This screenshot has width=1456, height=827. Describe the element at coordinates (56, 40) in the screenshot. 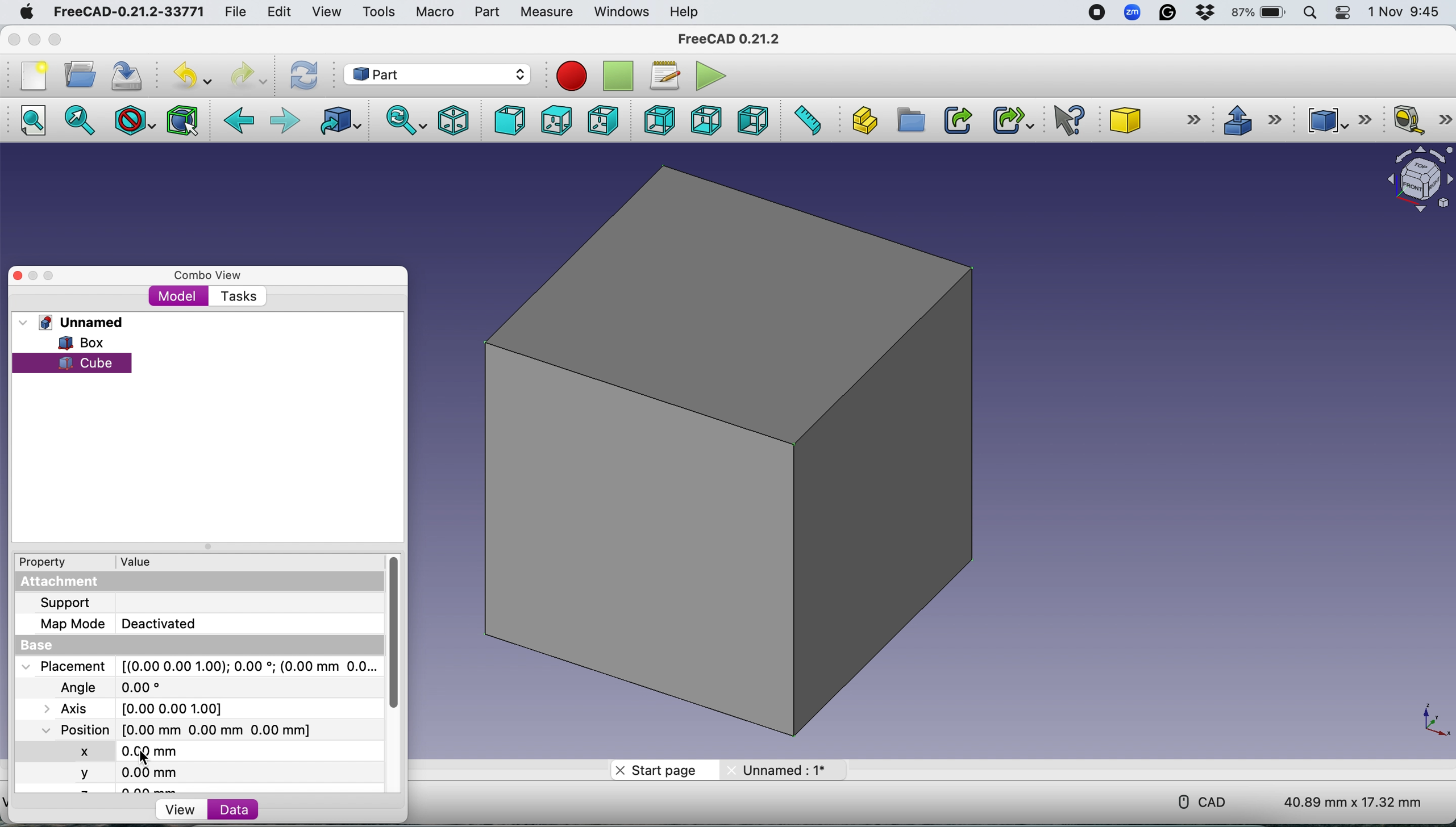

I see `Maximise` at that location.